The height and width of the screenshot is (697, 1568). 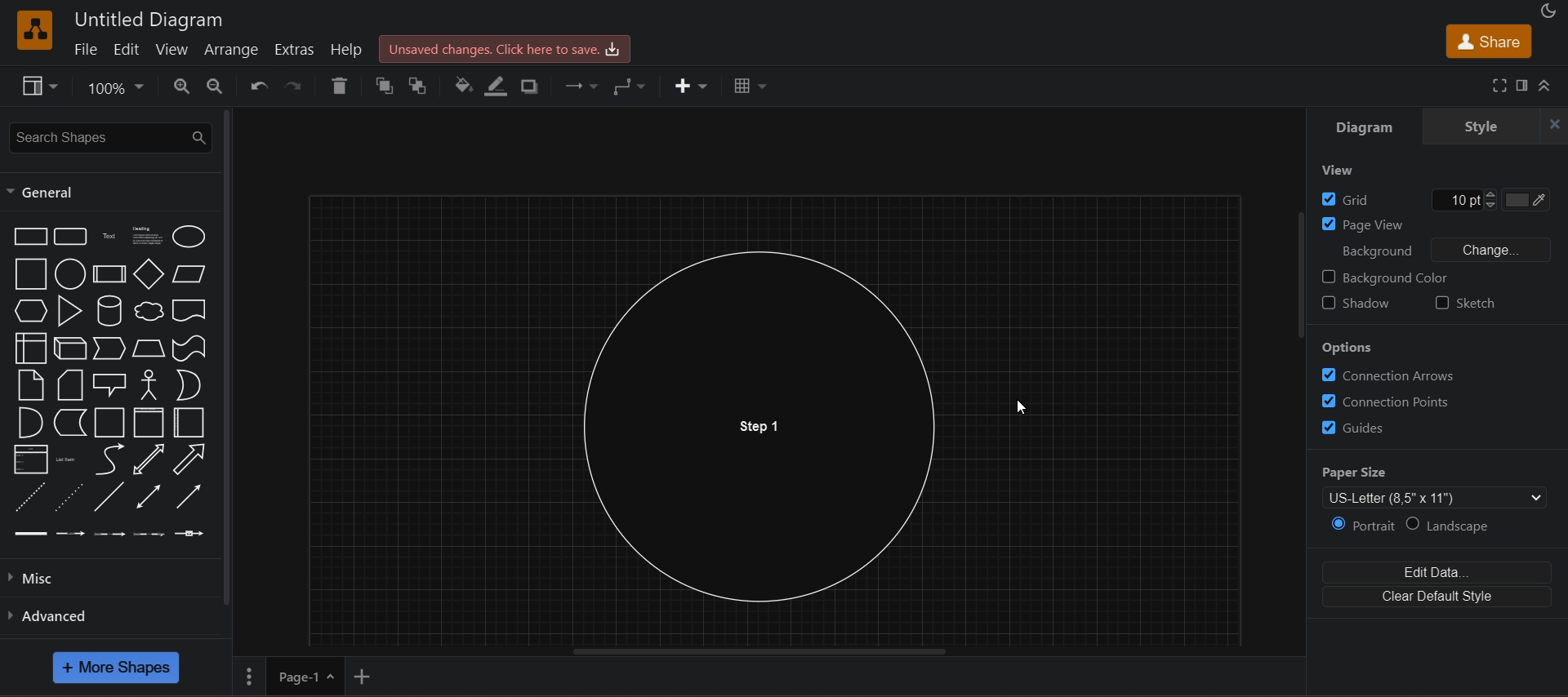 I want to click on Connector 1, so click(x=27, y=531).